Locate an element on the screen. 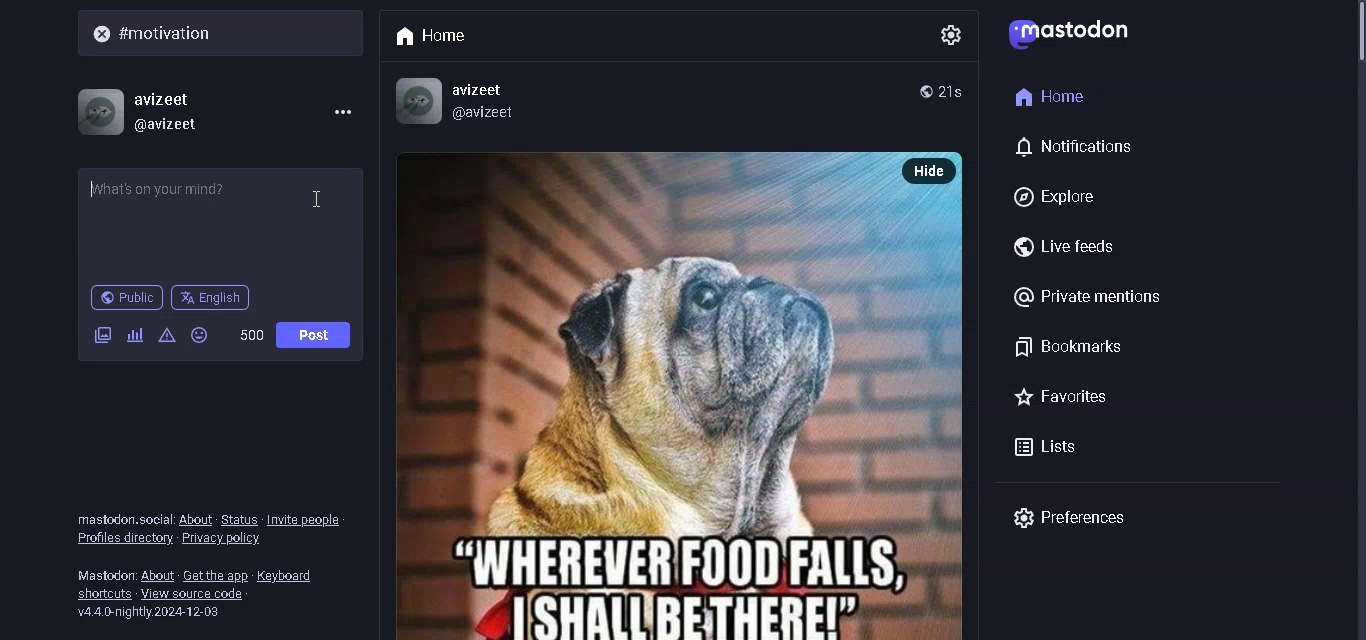  content warning is located at coordinates (165, 334).